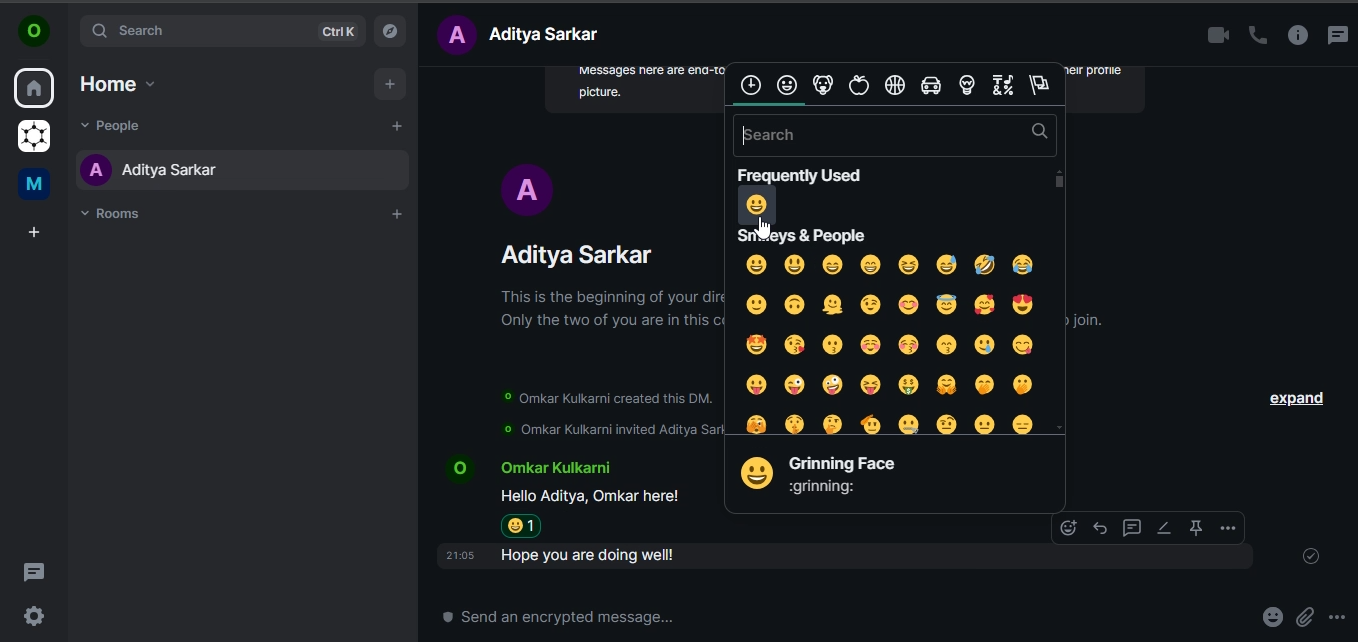  I want to click on thinking face, so click(833, 423).